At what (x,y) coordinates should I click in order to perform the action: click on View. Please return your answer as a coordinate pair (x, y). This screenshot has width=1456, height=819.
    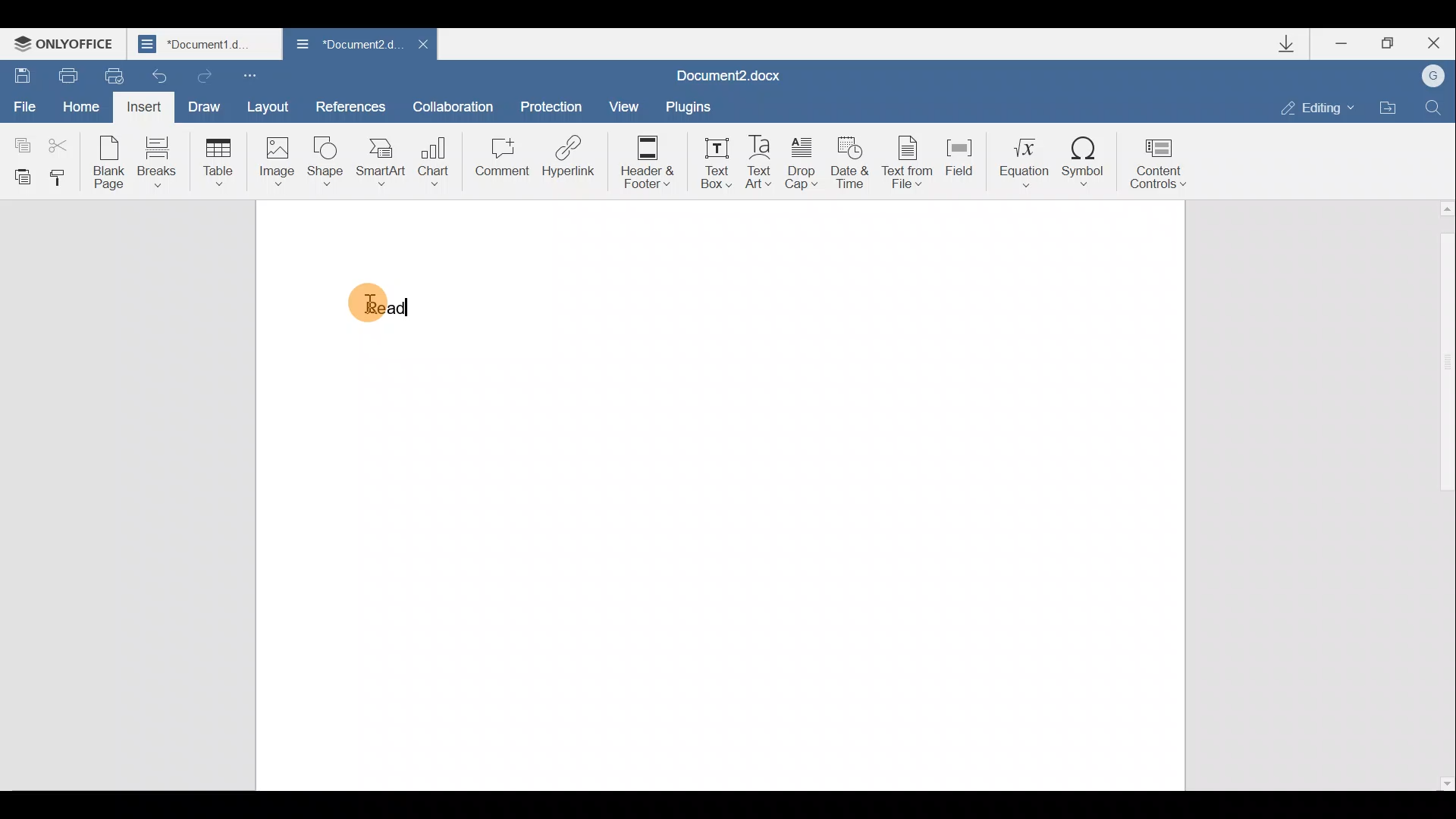
    Looking at the image, I should click on (619, 105).